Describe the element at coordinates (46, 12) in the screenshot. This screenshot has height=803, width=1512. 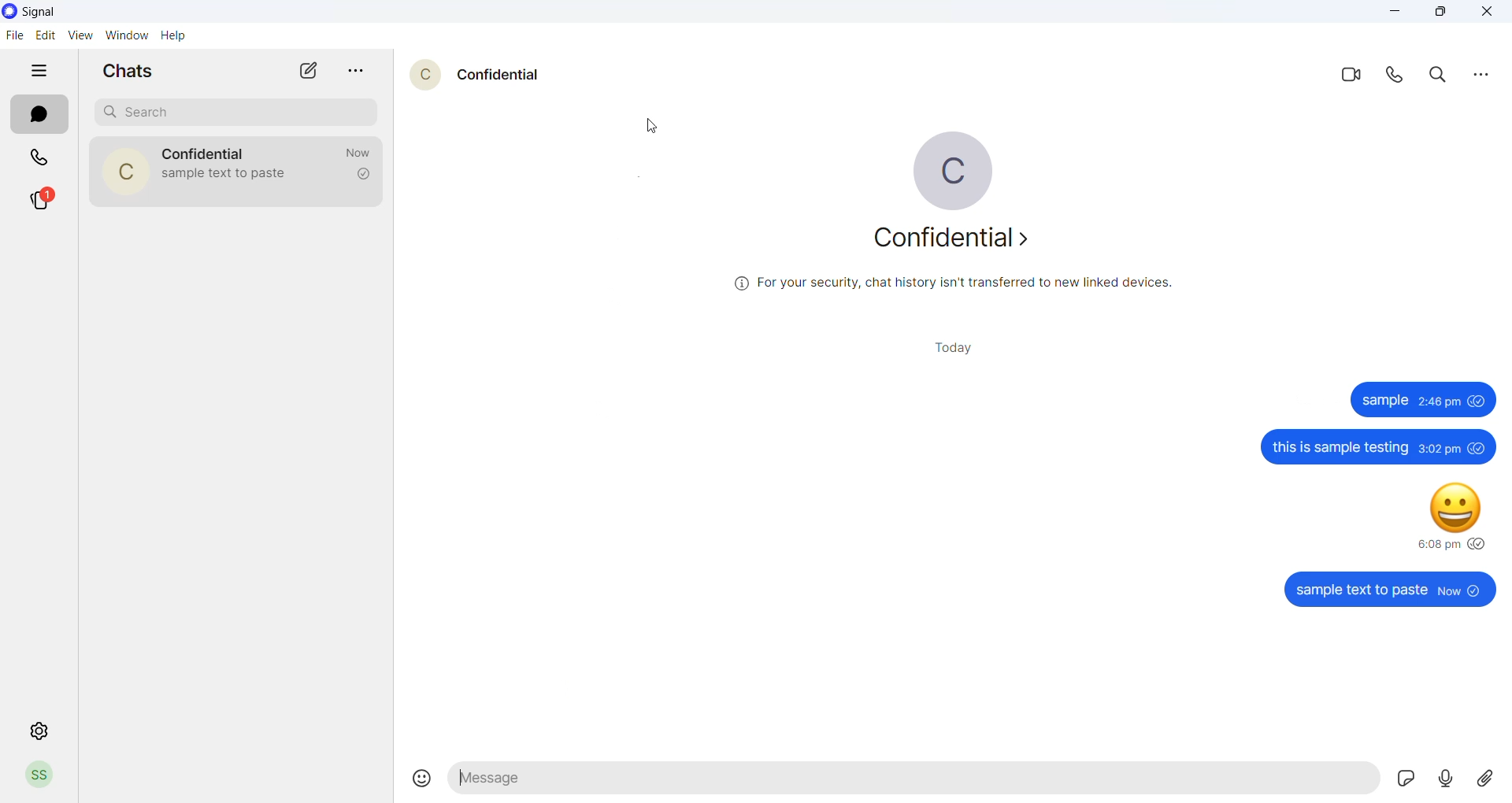
I see `application name and logo` at that location.